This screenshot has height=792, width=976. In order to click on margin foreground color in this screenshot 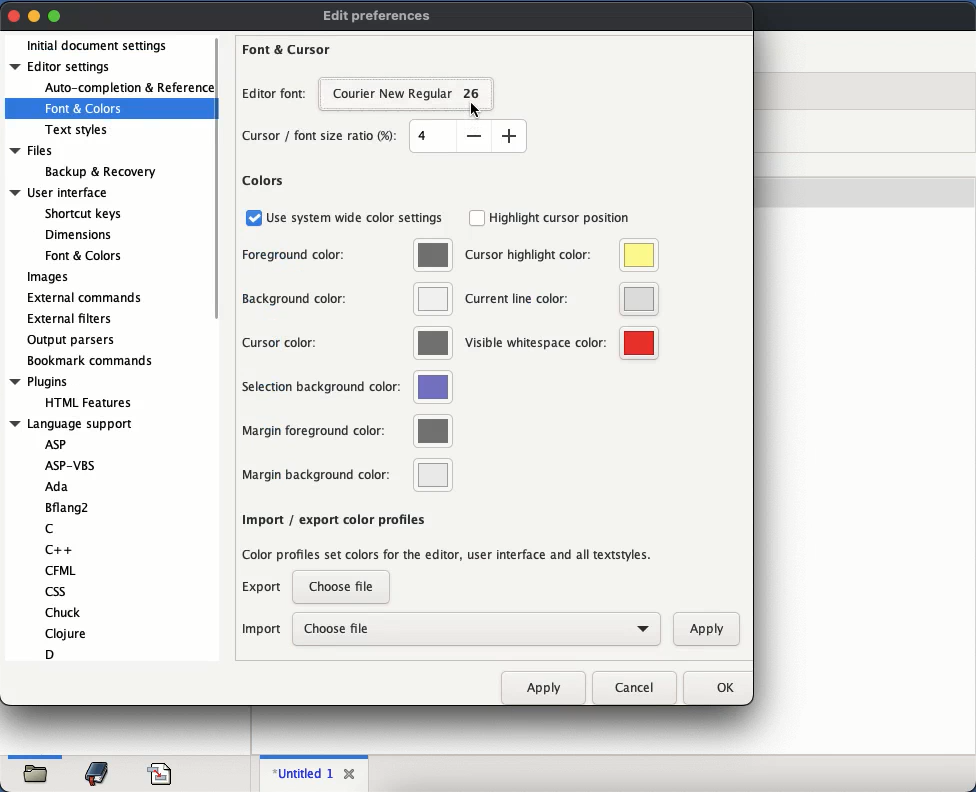, I will do `click(320, 432)`.